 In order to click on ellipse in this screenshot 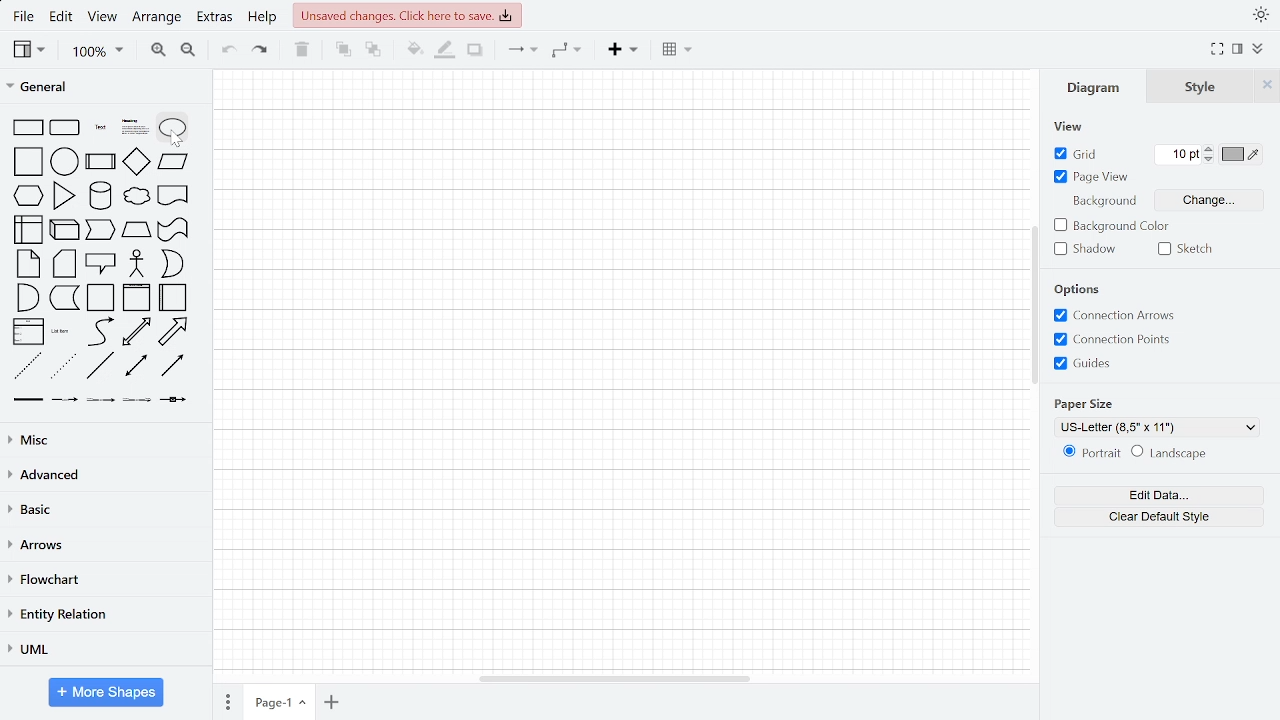, I will do `click(173, 129)`.